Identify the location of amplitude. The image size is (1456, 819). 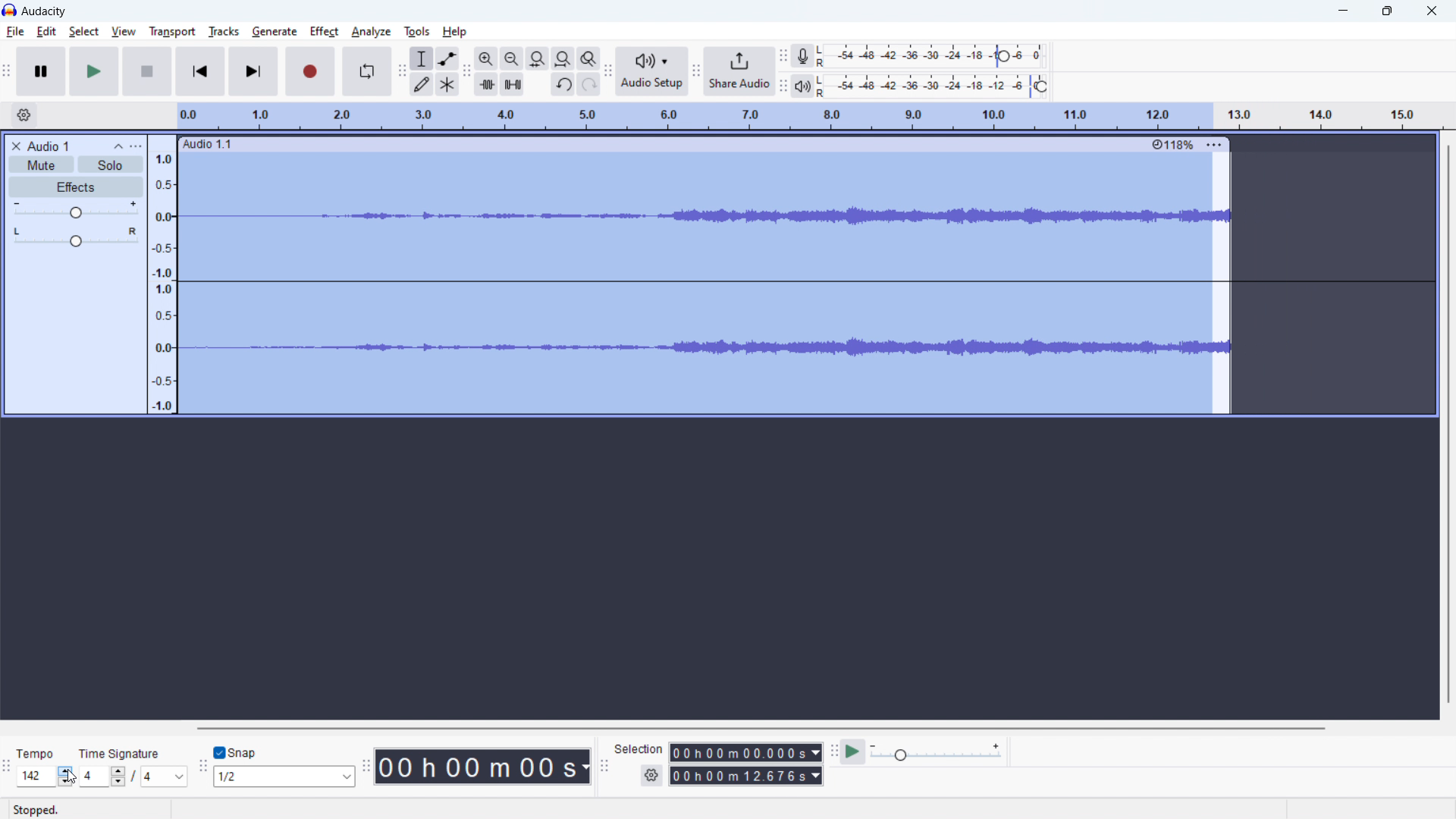
(163, 275).